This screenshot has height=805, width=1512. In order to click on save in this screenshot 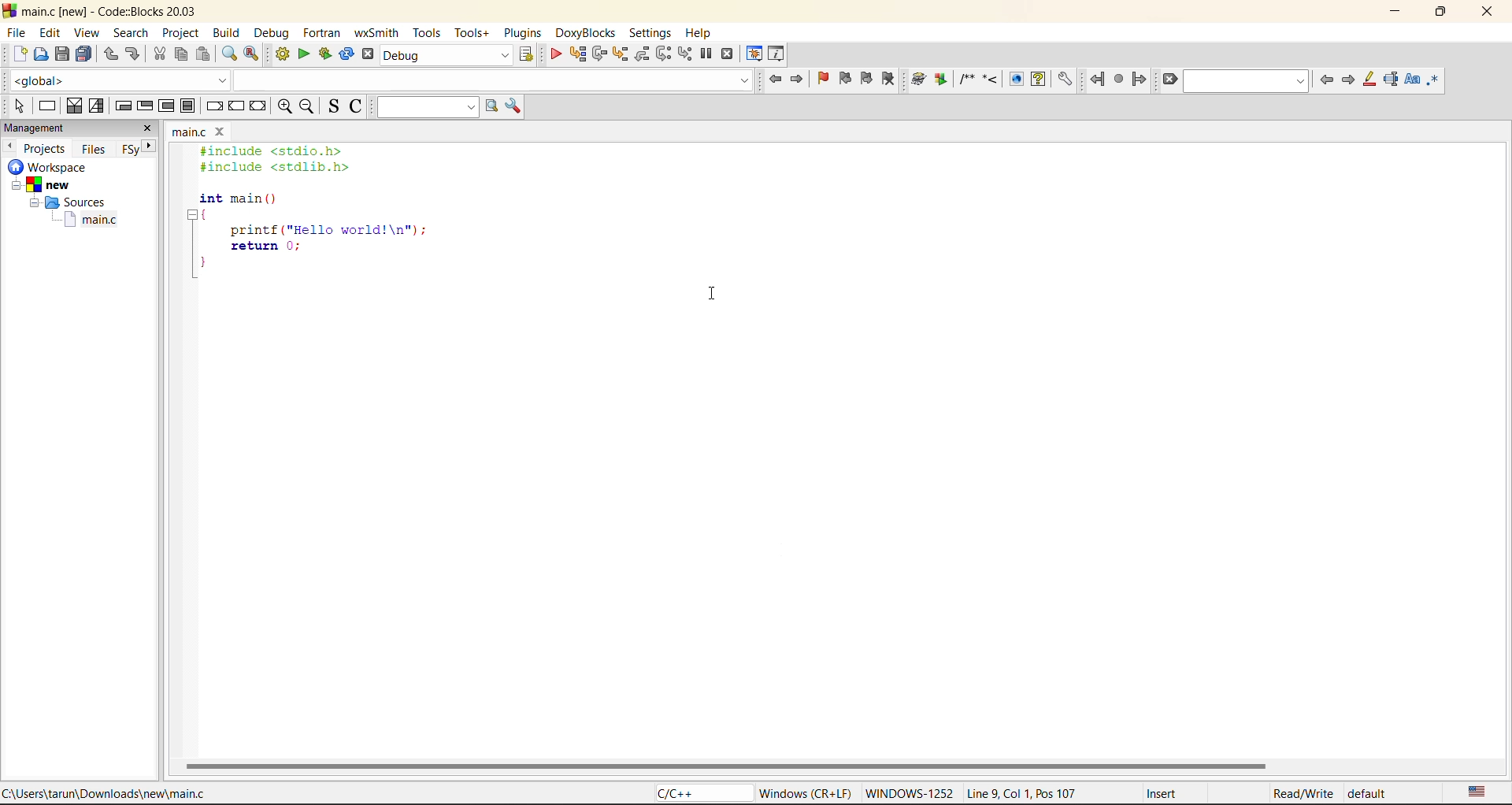, I will do `click(65, 54)`.